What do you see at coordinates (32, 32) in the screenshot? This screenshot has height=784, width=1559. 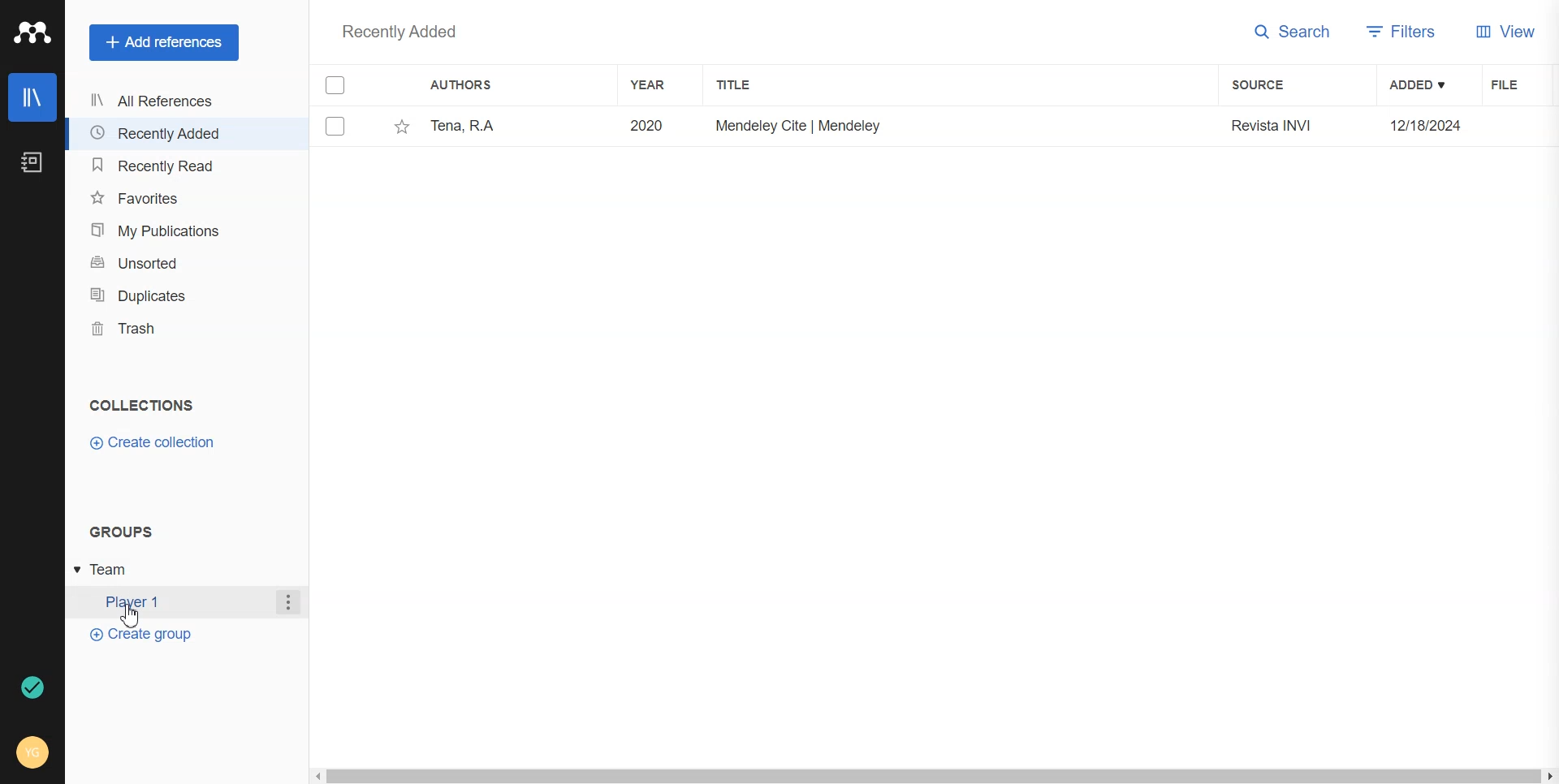 I see `Logo` at bounding box center [32, 32].